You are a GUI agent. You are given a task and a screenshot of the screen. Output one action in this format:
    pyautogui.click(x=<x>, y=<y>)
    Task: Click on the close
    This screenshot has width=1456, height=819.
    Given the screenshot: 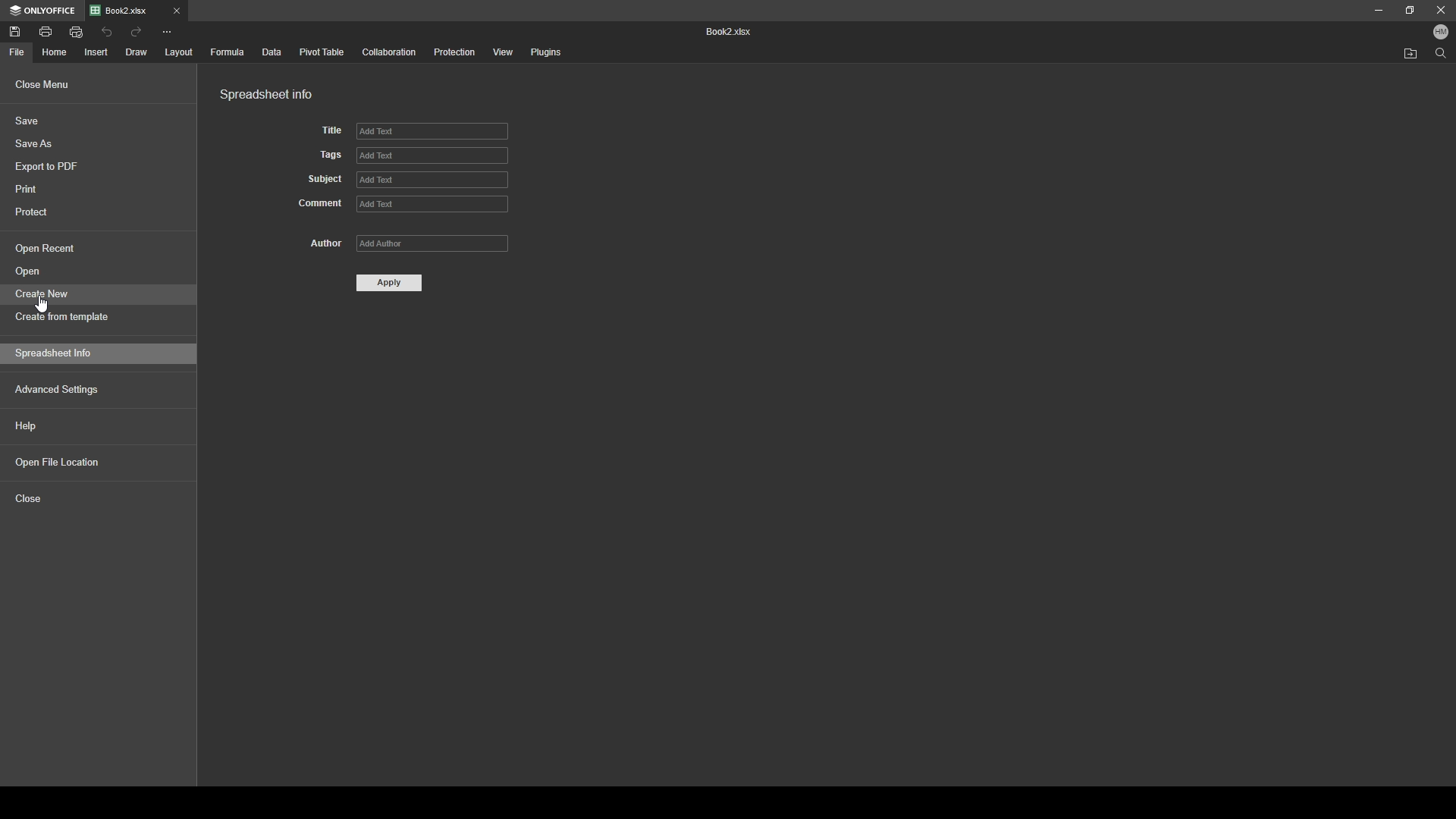 What is the action you would take?
    pyautogui.click(x=1439, y=10)
    